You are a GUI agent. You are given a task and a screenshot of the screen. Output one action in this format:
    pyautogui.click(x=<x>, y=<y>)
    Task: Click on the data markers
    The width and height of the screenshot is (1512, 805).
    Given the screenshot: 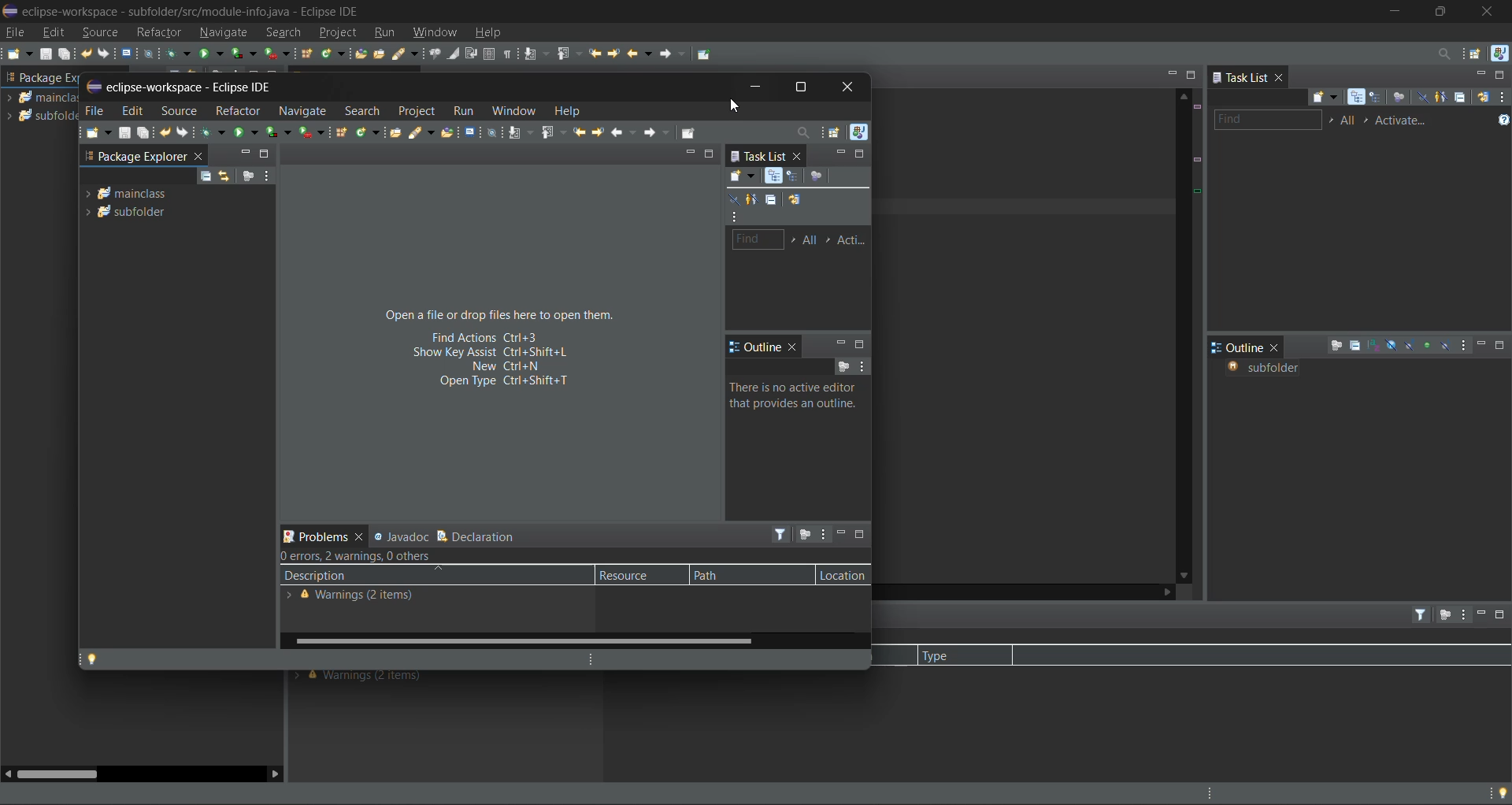 What is the action you would take?
    pyautogui.click(x=1196, y=186)
    